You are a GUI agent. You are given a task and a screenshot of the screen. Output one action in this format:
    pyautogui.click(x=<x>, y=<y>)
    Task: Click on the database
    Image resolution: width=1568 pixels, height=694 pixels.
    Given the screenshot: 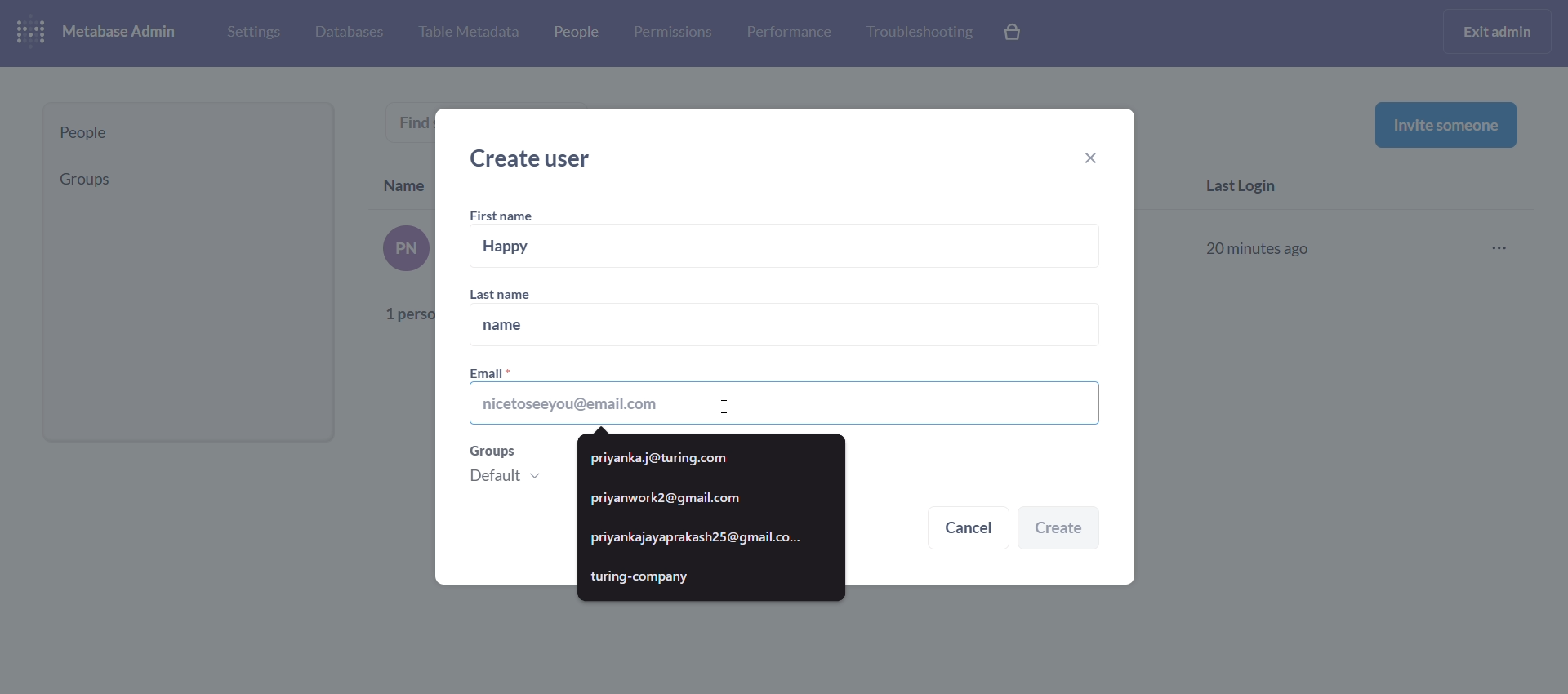 What is the action you would take?
    pyautogui.click(x=346, y=33)
    